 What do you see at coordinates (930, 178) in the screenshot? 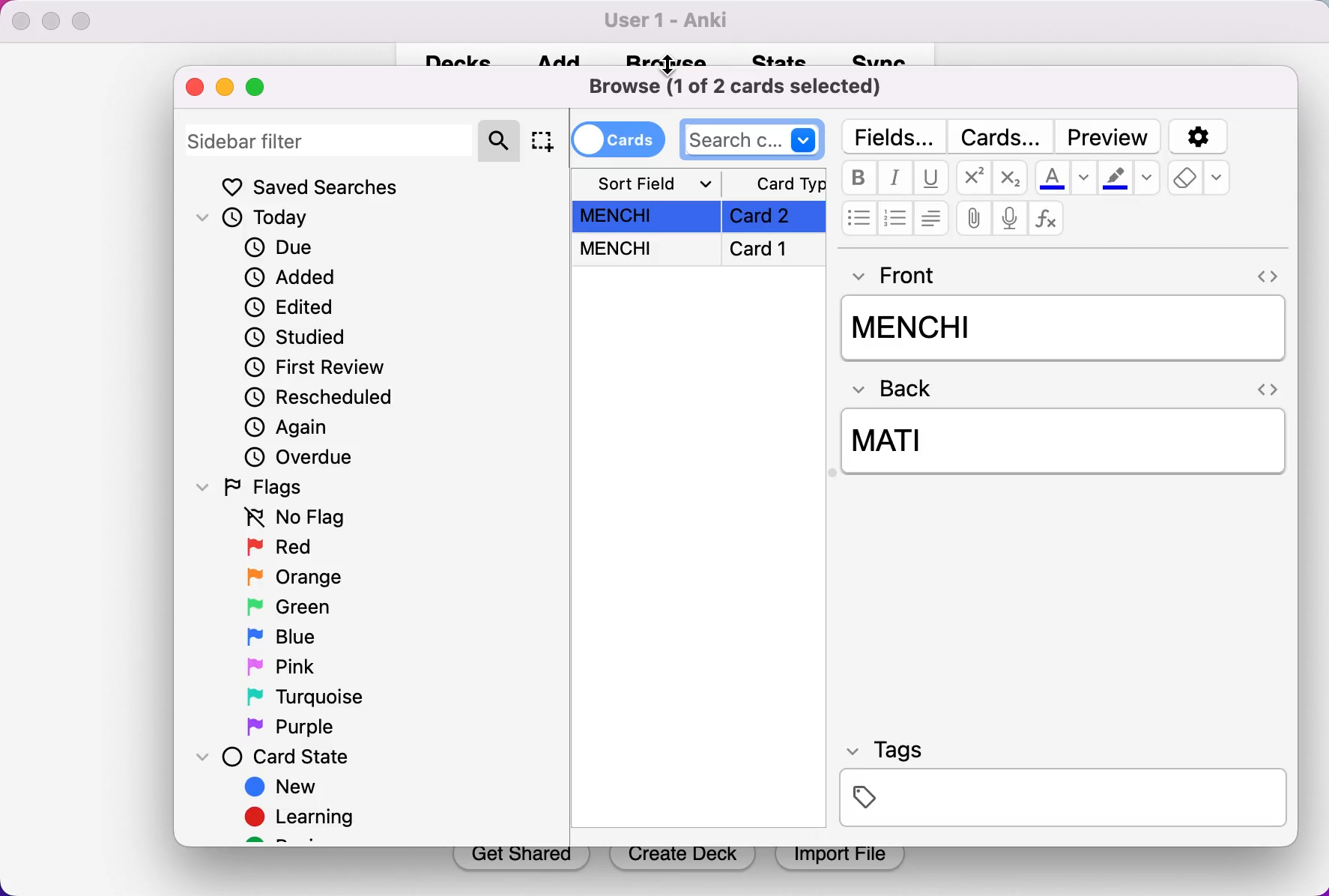
I see `underline text` at bounding box center [930, 178].